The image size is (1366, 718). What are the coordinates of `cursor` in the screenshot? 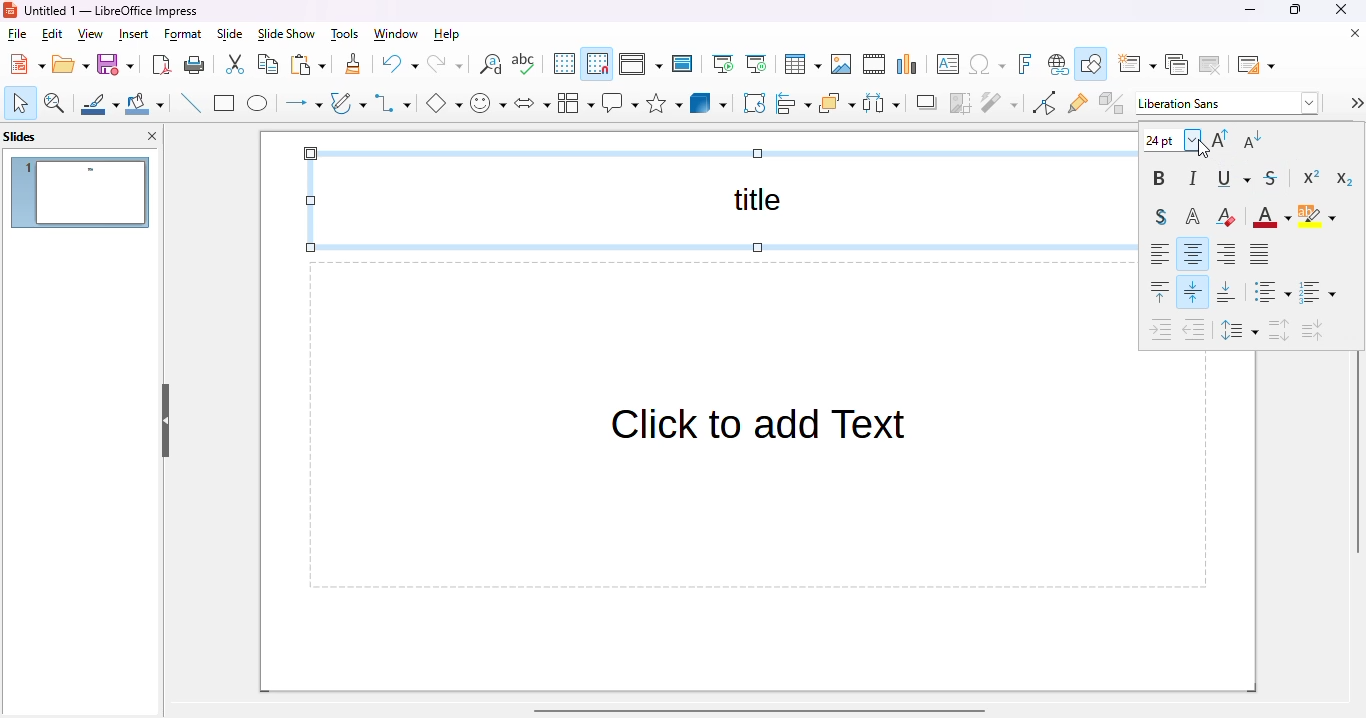 It's located at (1202, 151).